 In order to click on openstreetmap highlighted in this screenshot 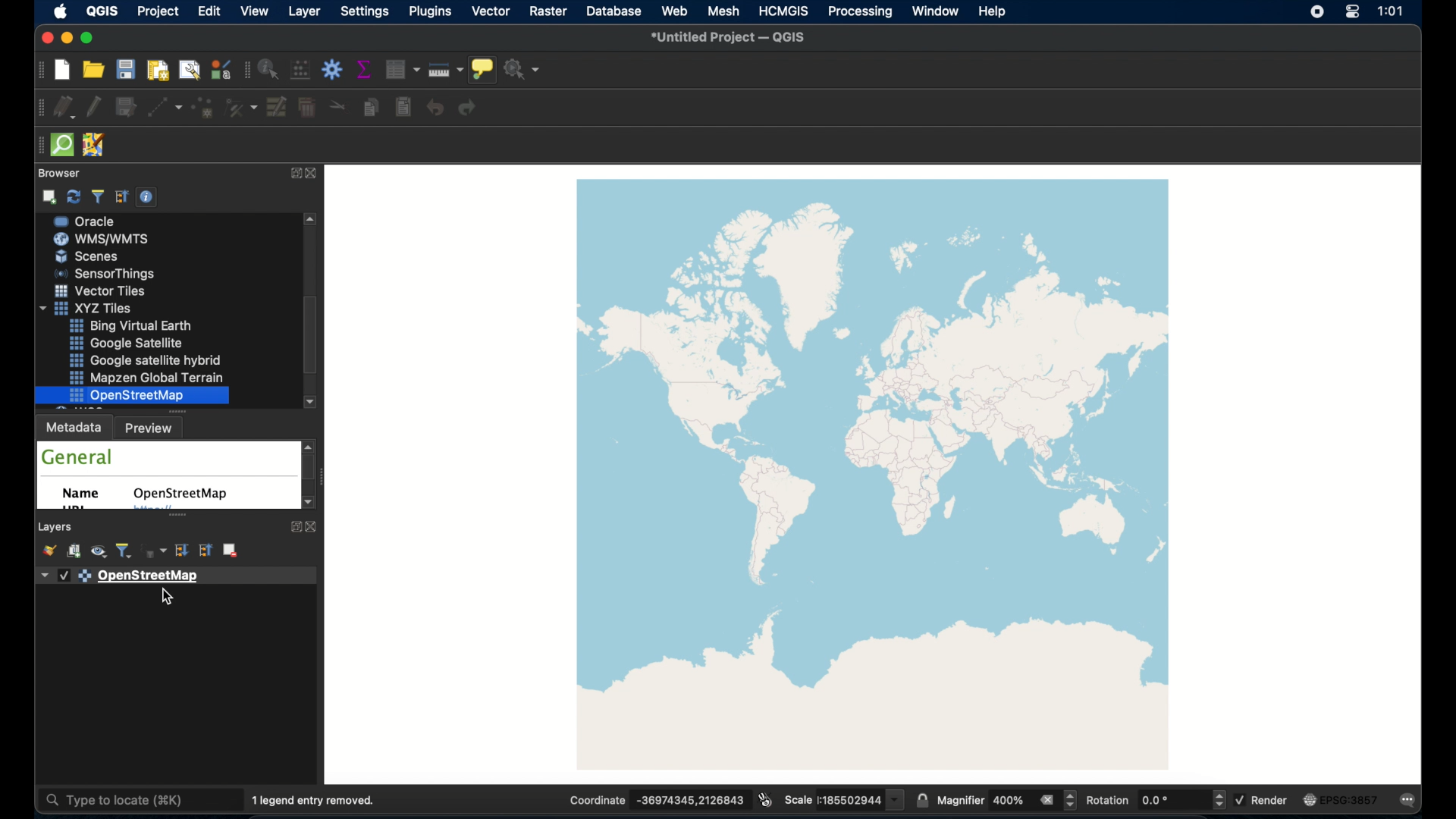, I will do `click(132, 396)`.